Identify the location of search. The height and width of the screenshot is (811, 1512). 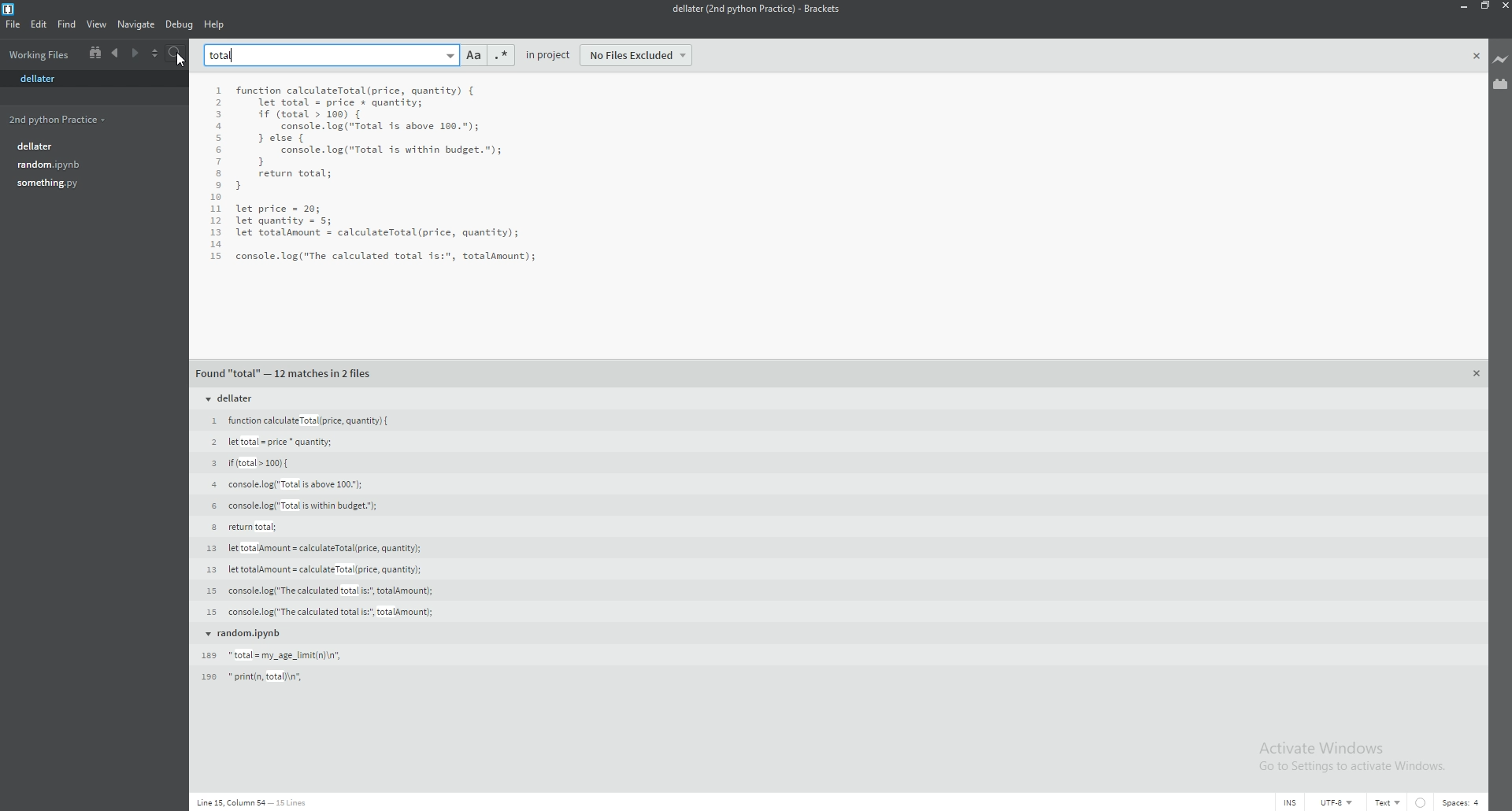
(176, 54).